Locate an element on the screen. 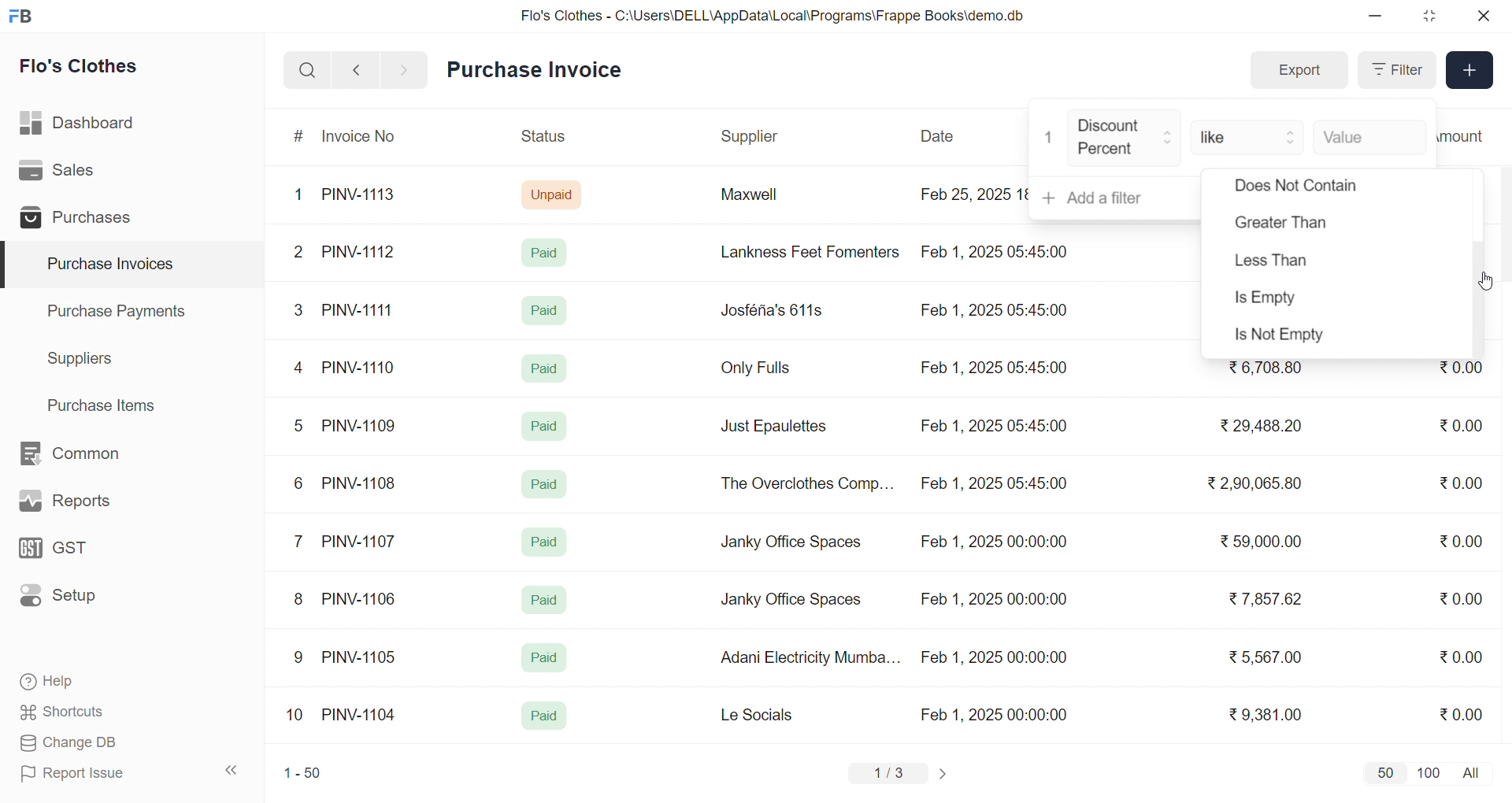 This screenshot has height=803, width=1512. minimize is located at coordinates (1377, 17).